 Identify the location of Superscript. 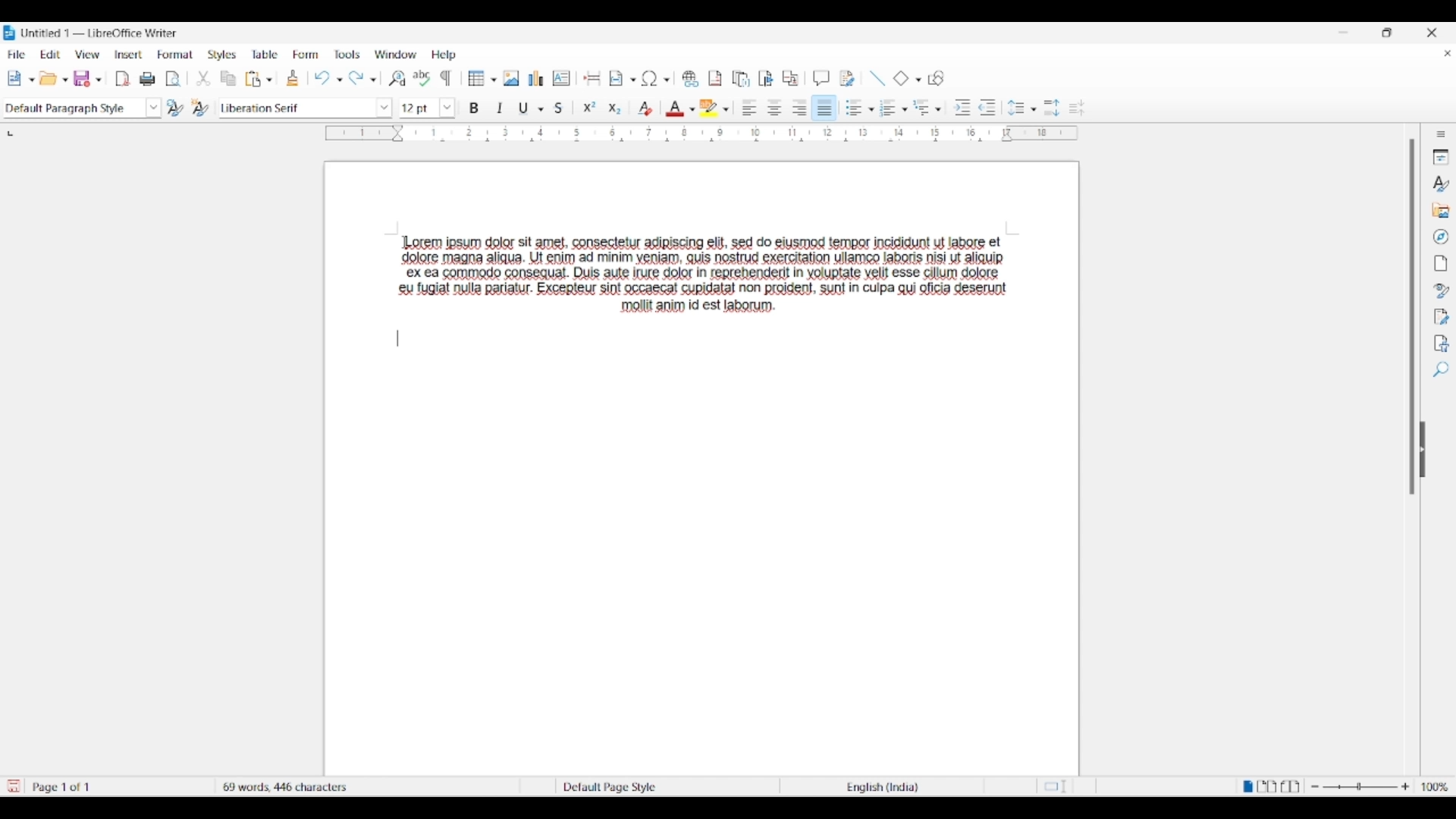
(589, 108).